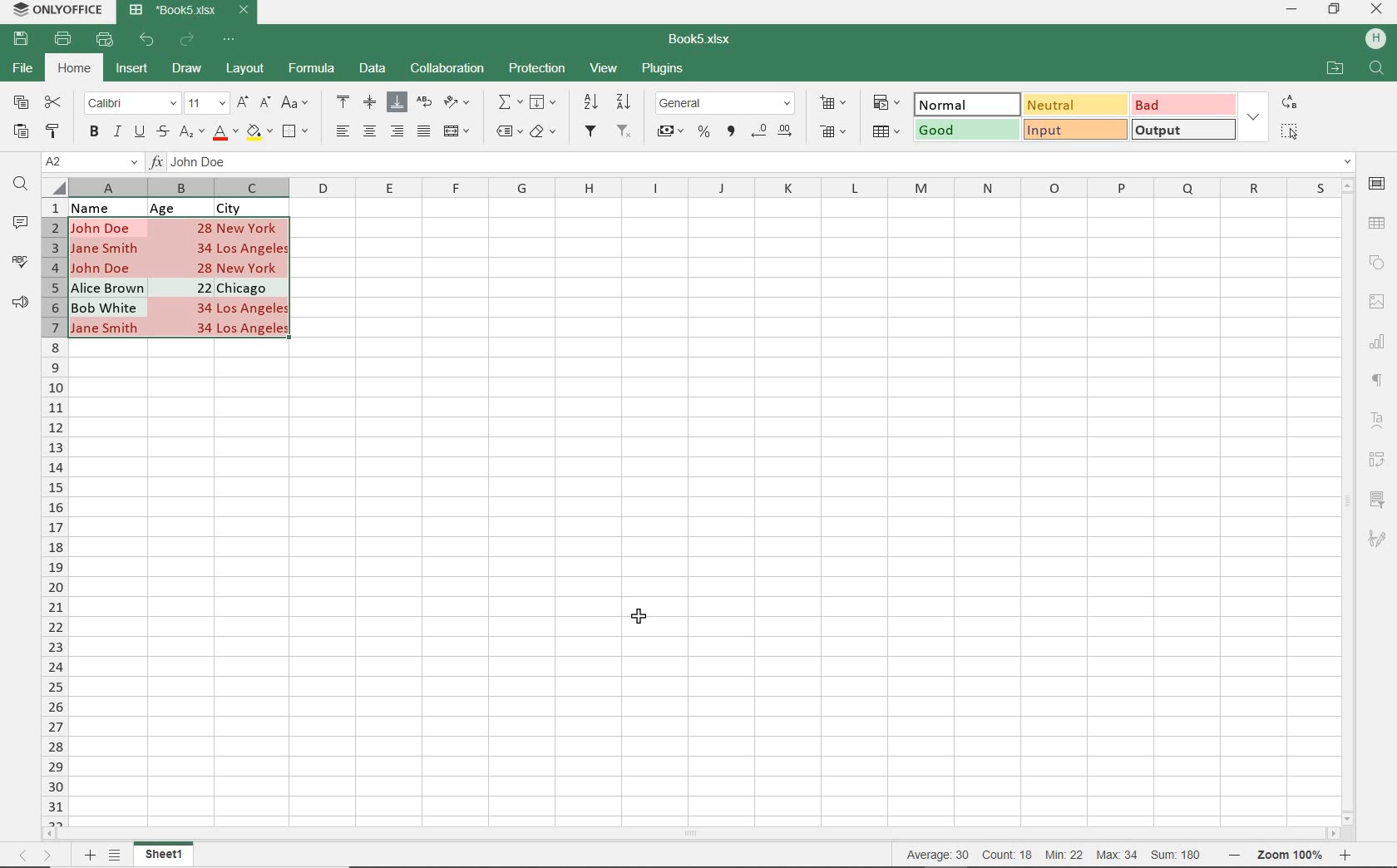  I want to click on count, so click(1006, 855).